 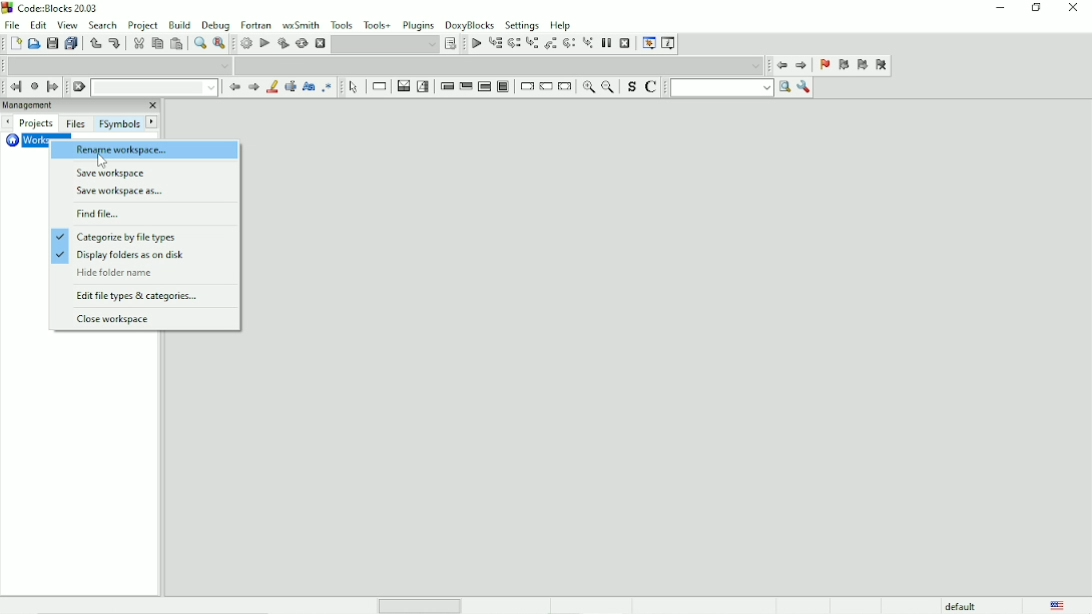 What do you see at coordinates (271, 87) in the screenshot?
I see `Highlight` at bounding box center [271, 87].